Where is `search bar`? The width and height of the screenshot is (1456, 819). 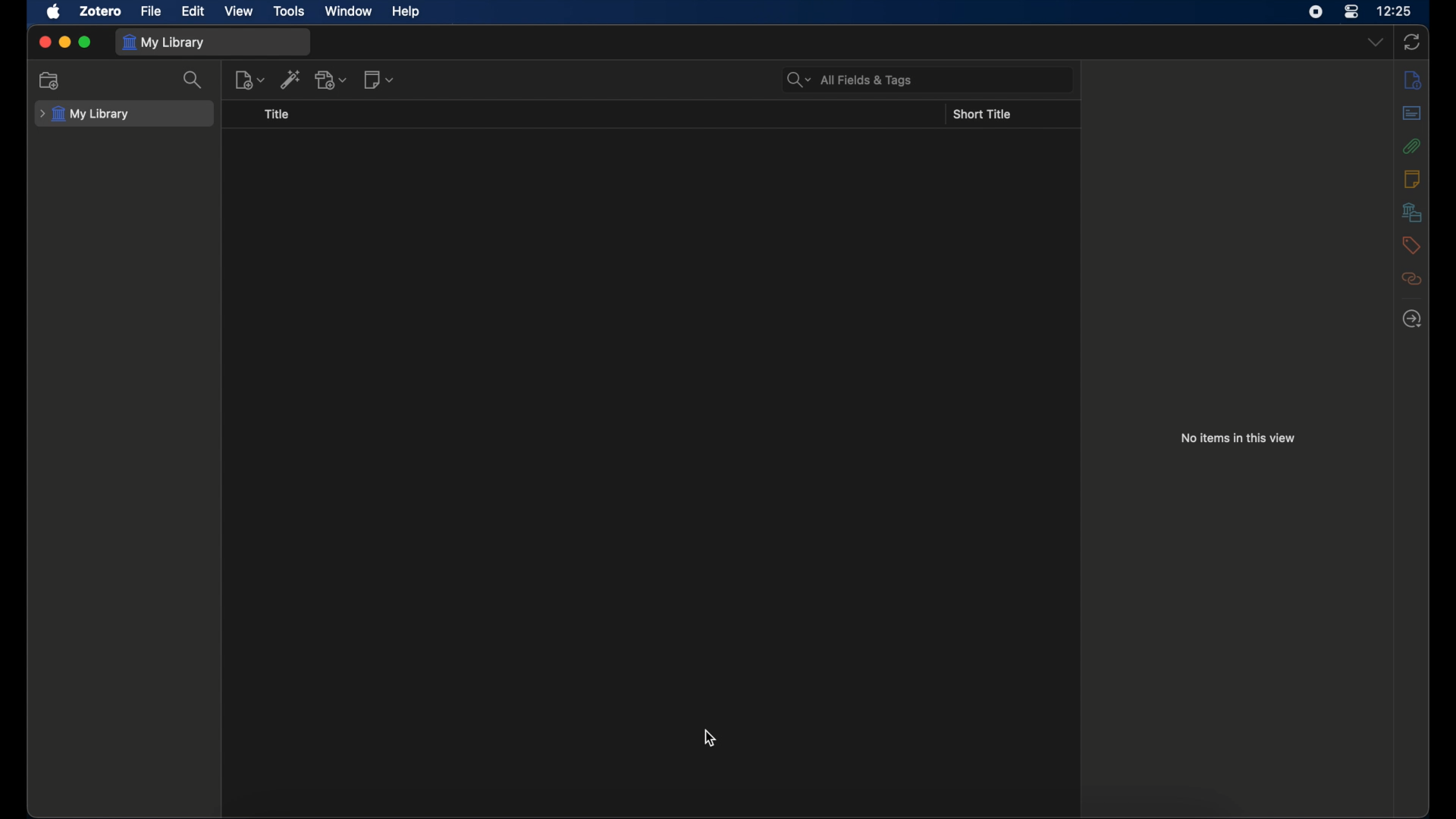
search bar is located at coordinates (849, 80).